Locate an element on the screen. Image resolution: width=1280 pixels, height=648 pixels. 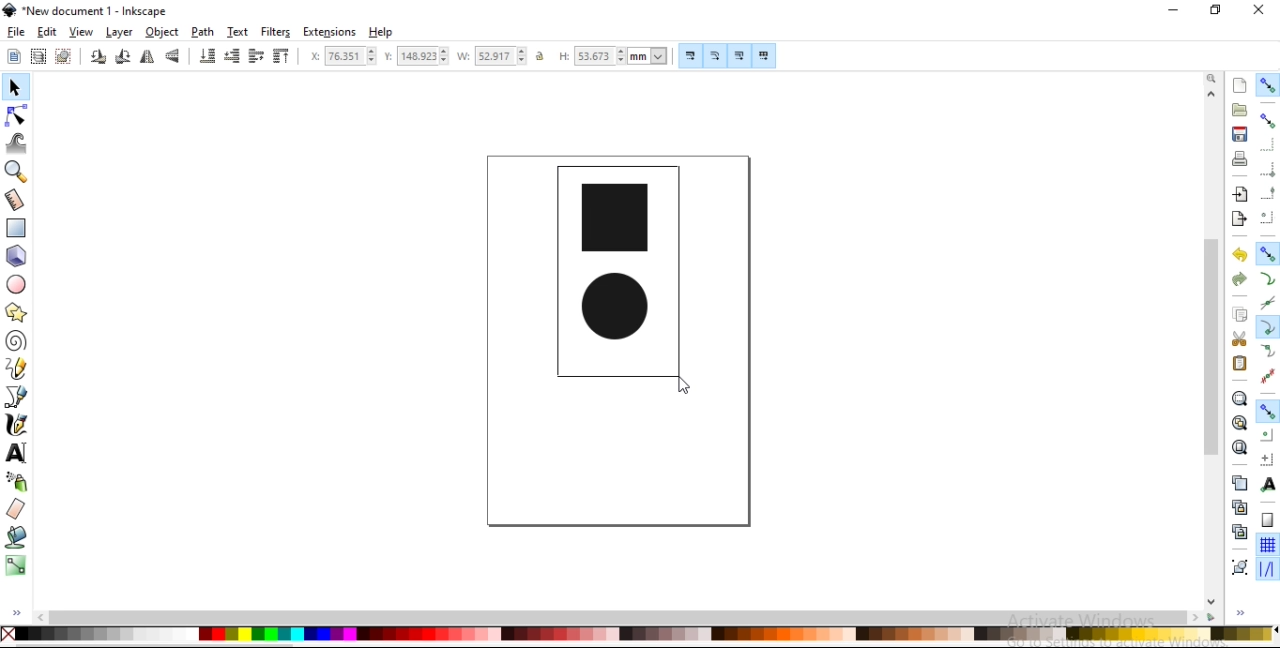
redo is located at coordinates (1237, 279).